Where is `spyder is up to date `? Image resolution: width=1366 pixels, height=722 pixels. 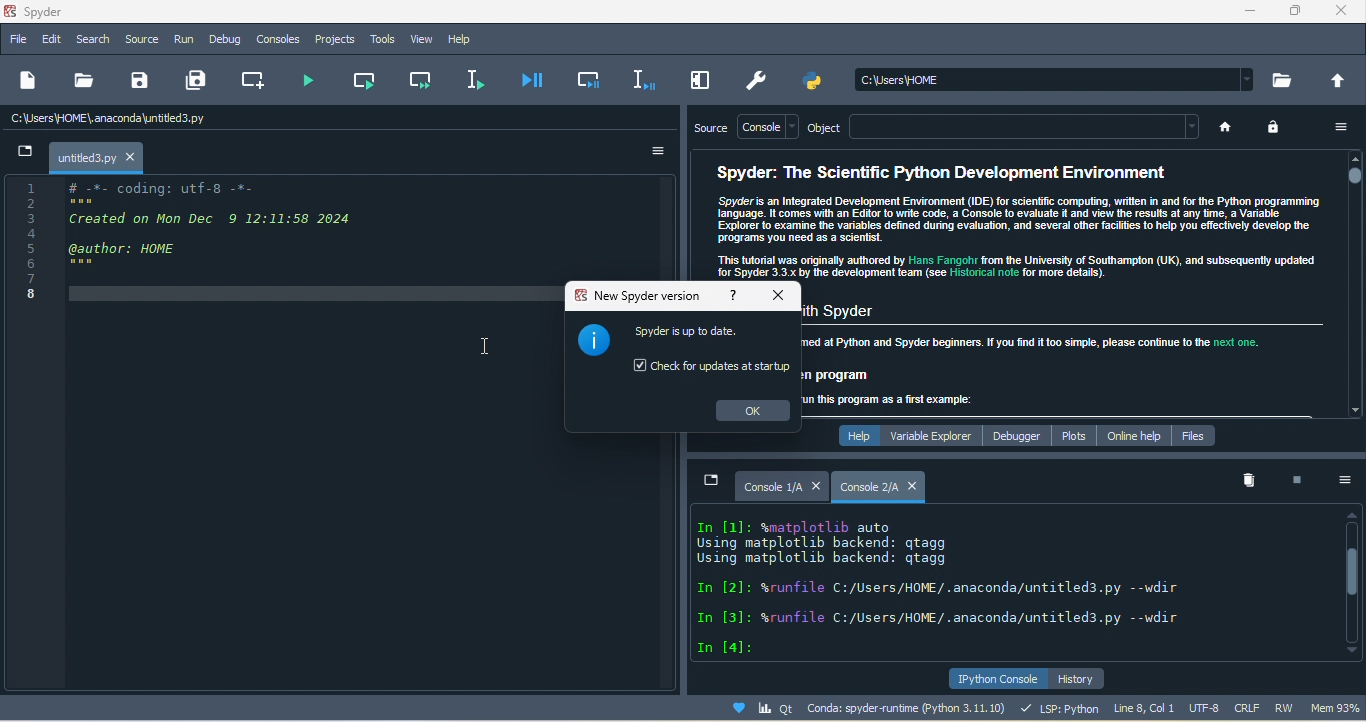 spyder is up to date  is located at coordinates (690, 332).